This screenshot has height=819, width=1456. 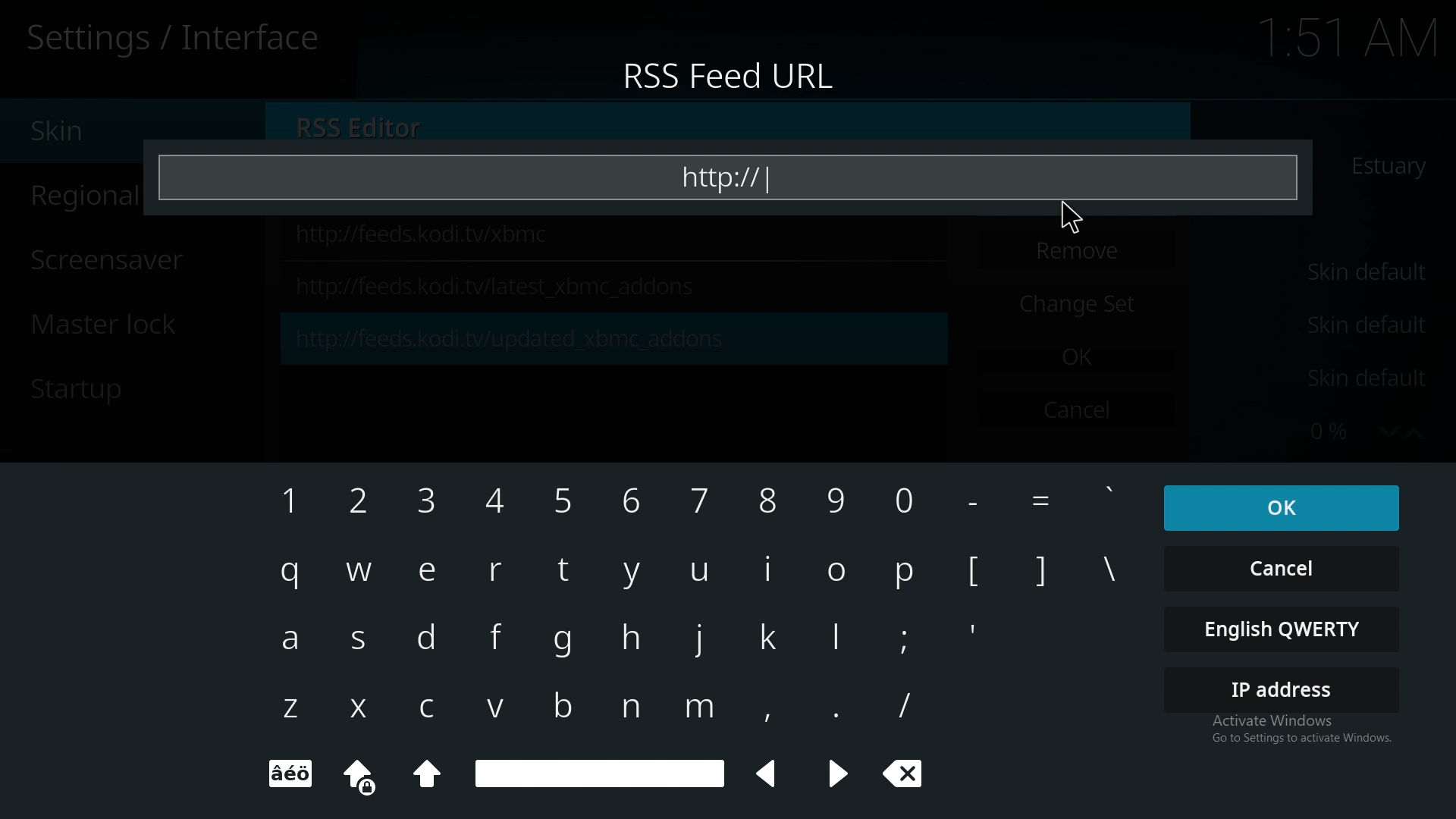 What do you see at coordinates (632, 573) in the screenshot?
I see `keyboard Input` at bounding box center [632, 573].